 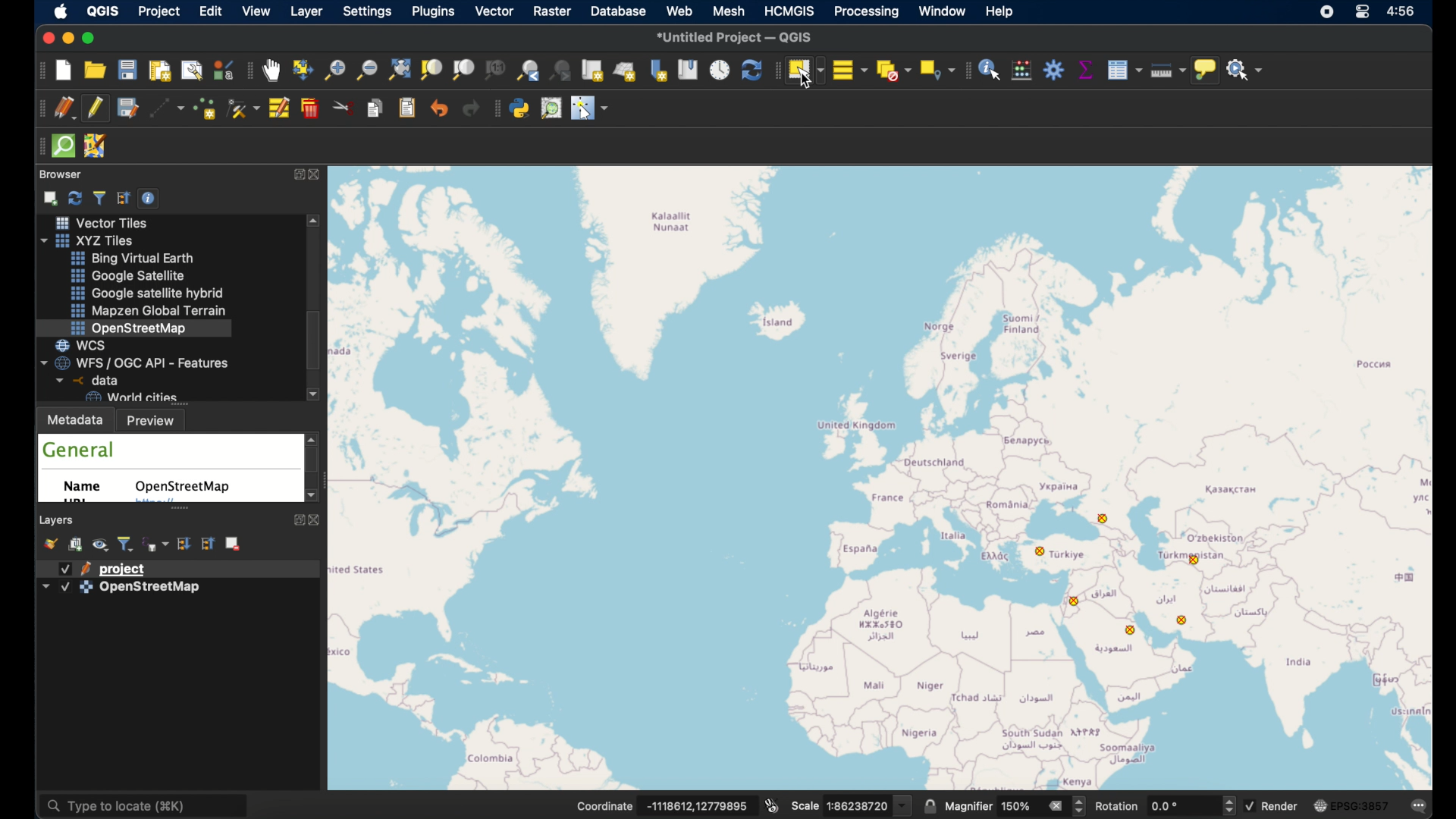 I want to click on raster, so click(x=553, y=11).